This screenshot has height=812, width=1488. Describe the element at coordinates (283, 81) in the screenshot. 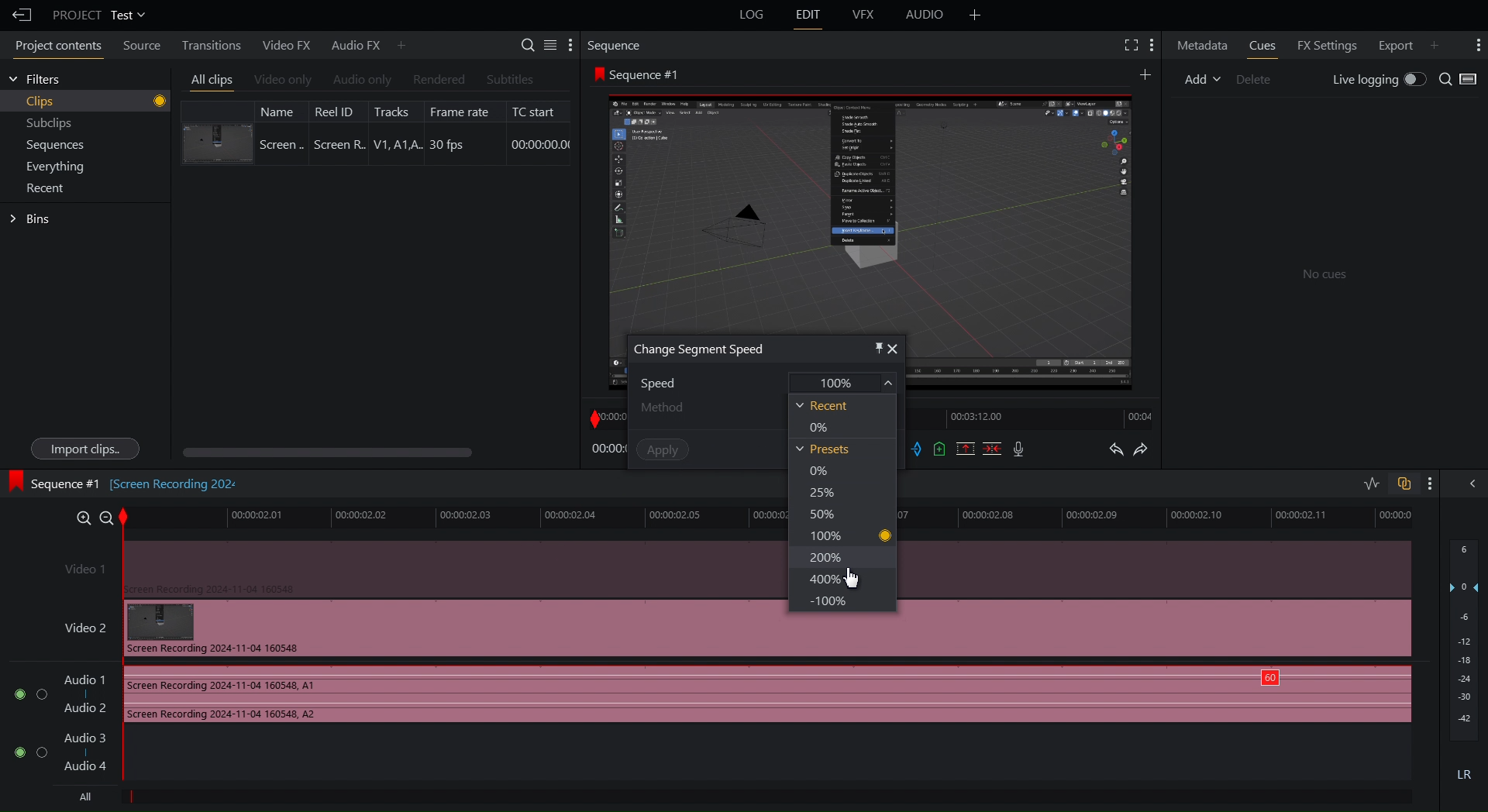

I see `Video Only` at that location.